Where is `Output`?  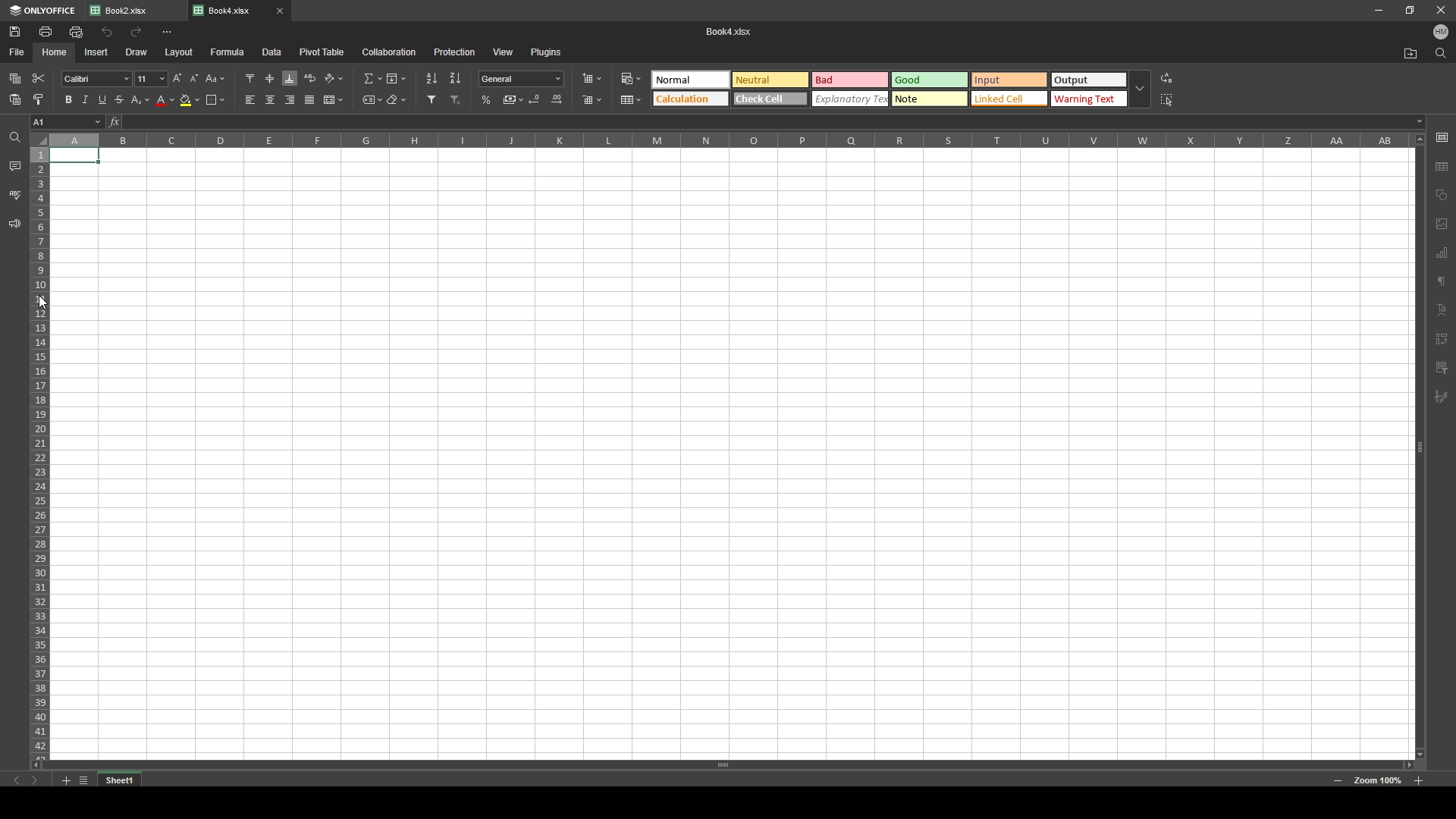
Output is located at coordinates (1088, 79).